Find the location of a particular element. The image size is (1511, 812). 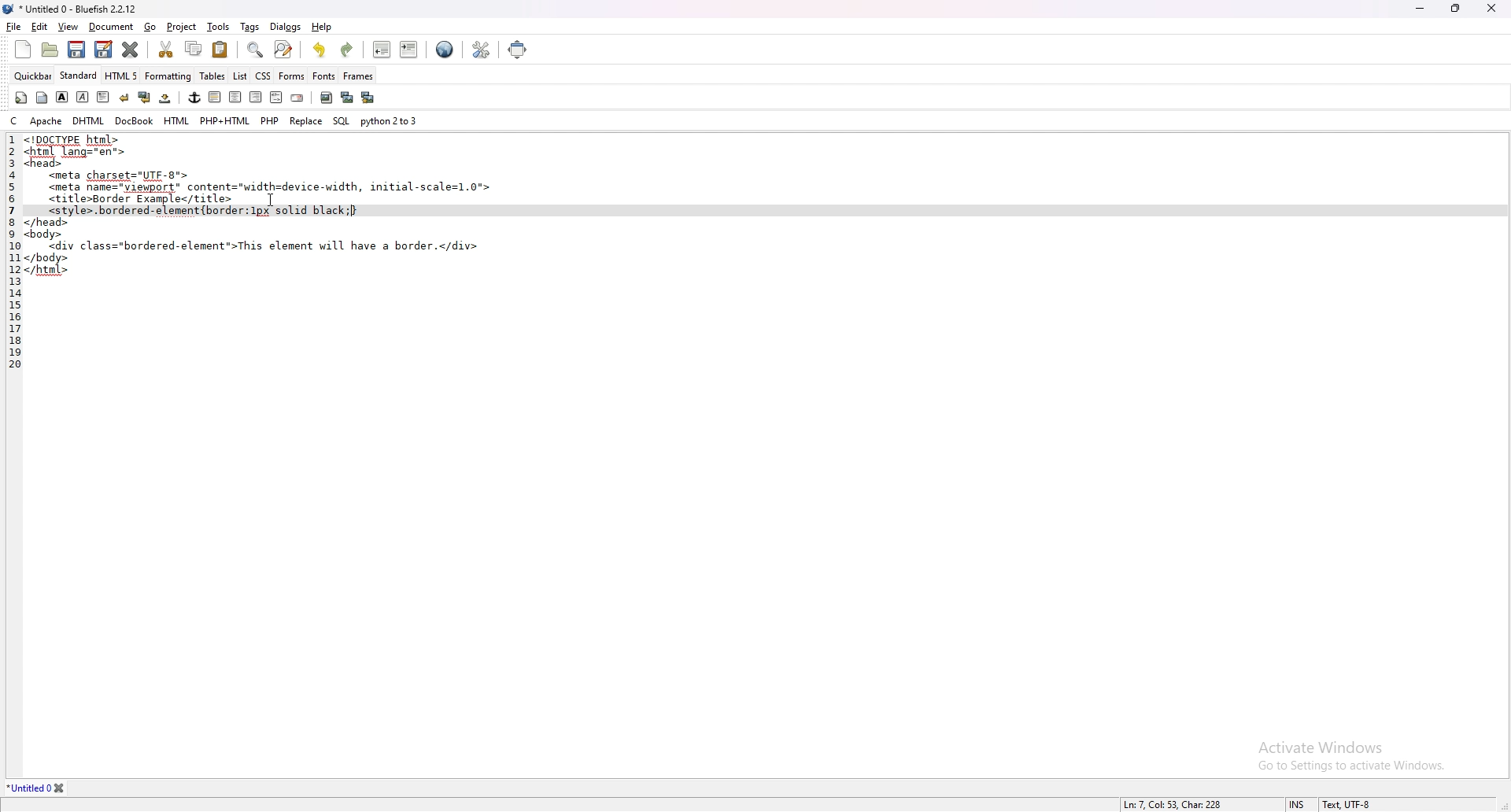

formatting is located at coordinates (168, 76).